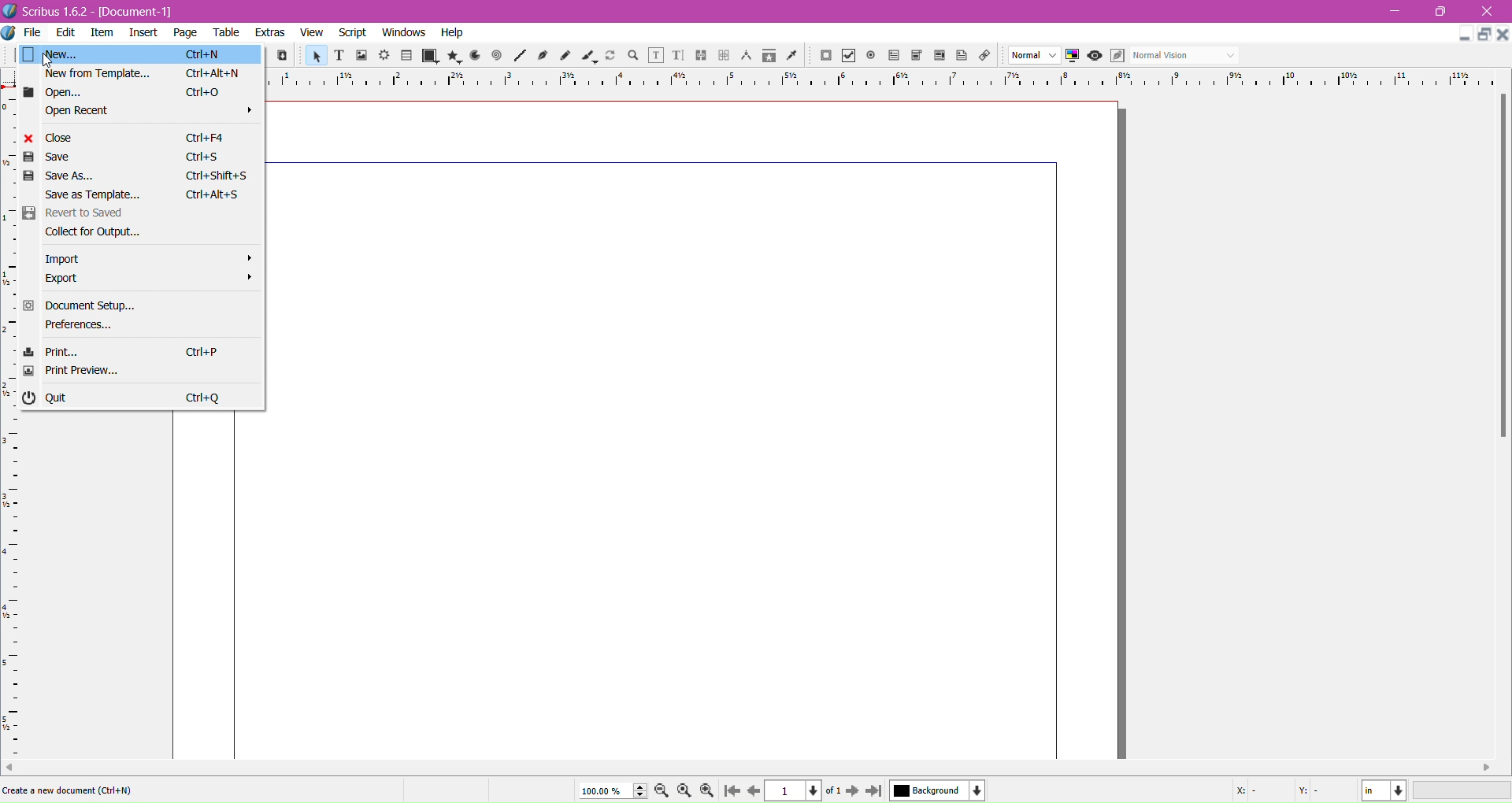  Describe the element at coordinates (403, 32) in the screenshot. I see `Windows` at that location.